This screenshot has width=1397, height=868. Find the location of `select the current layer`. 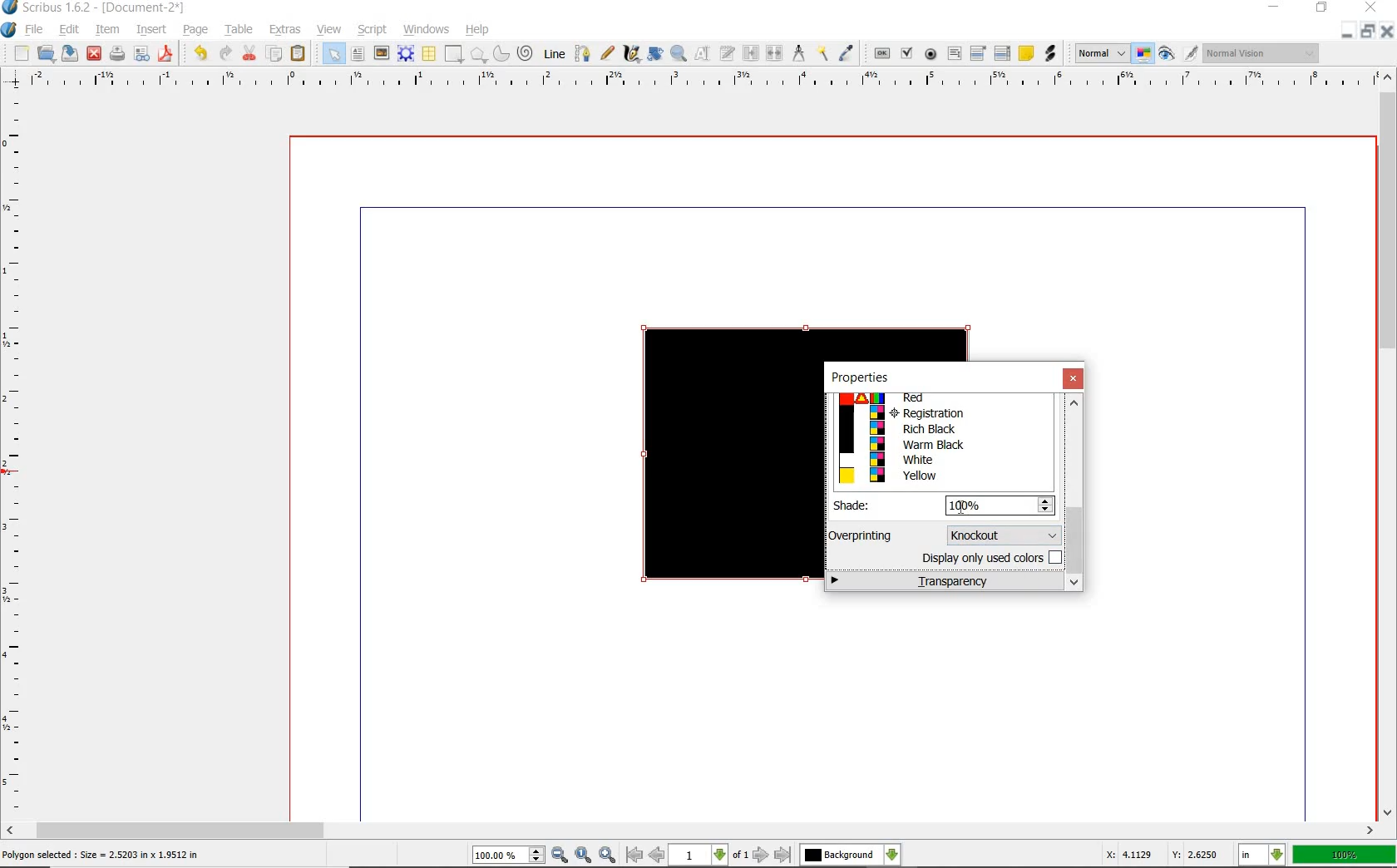

select the current layer is located at coordinates (851, 855).